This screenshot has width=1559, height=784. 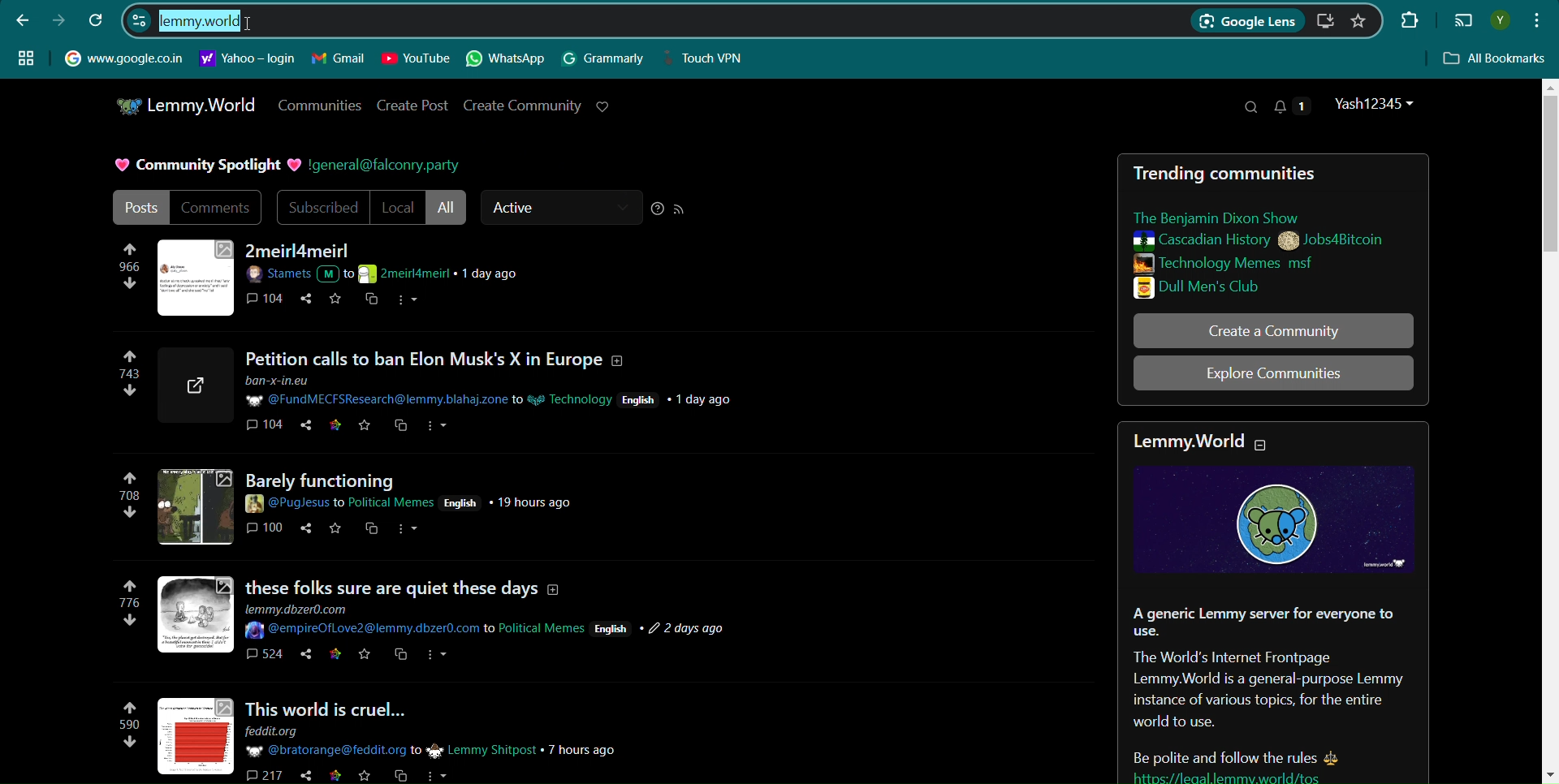 What do you see at coordinates (391, 274) in the screenshot?
I see `Stamets M to 2 meirl4meirl 1 day ago` at bounding box center [391, 274].